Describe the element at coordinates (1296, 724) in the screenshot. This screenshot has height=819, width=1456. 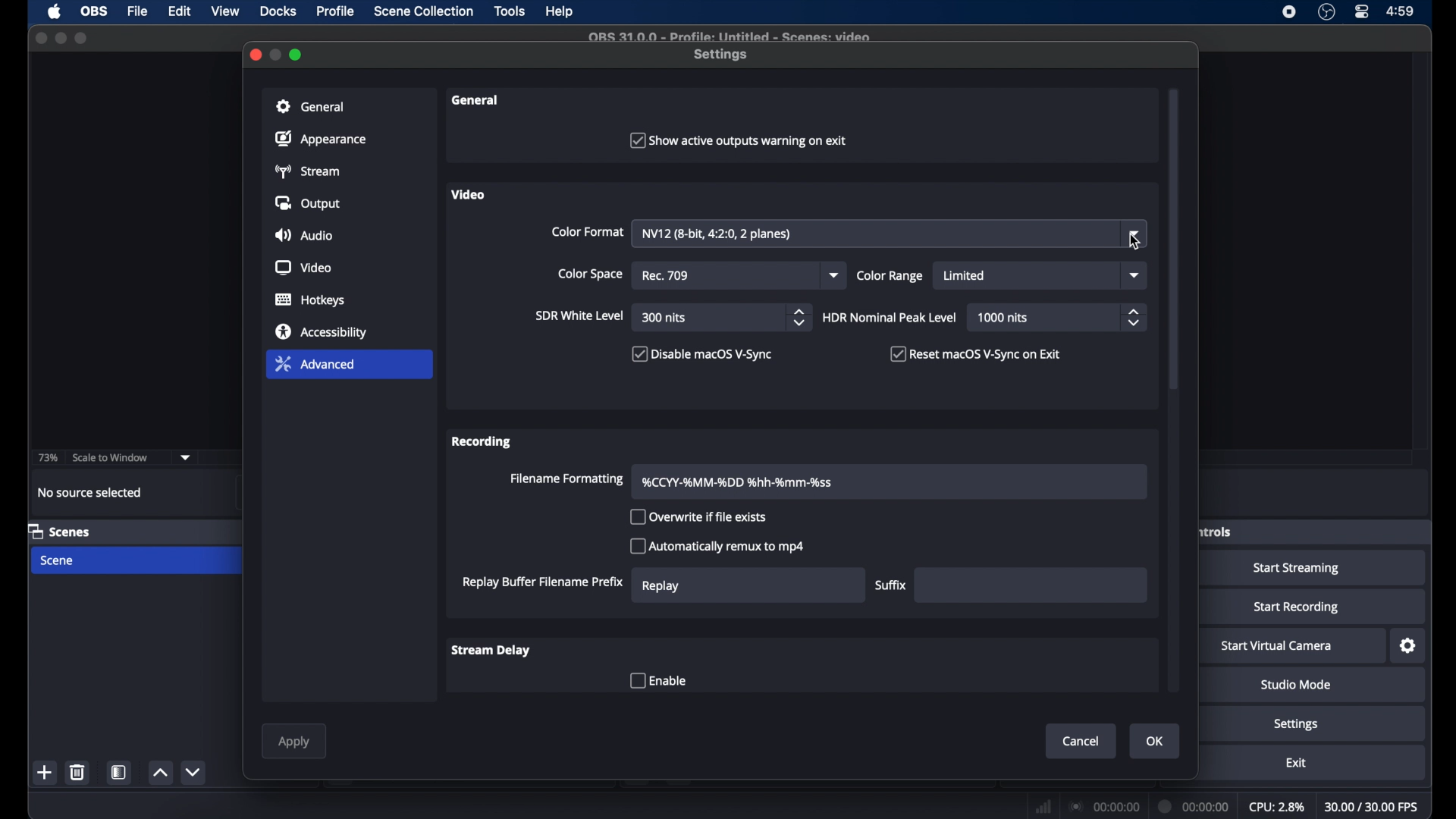
I see `settings` at that location.